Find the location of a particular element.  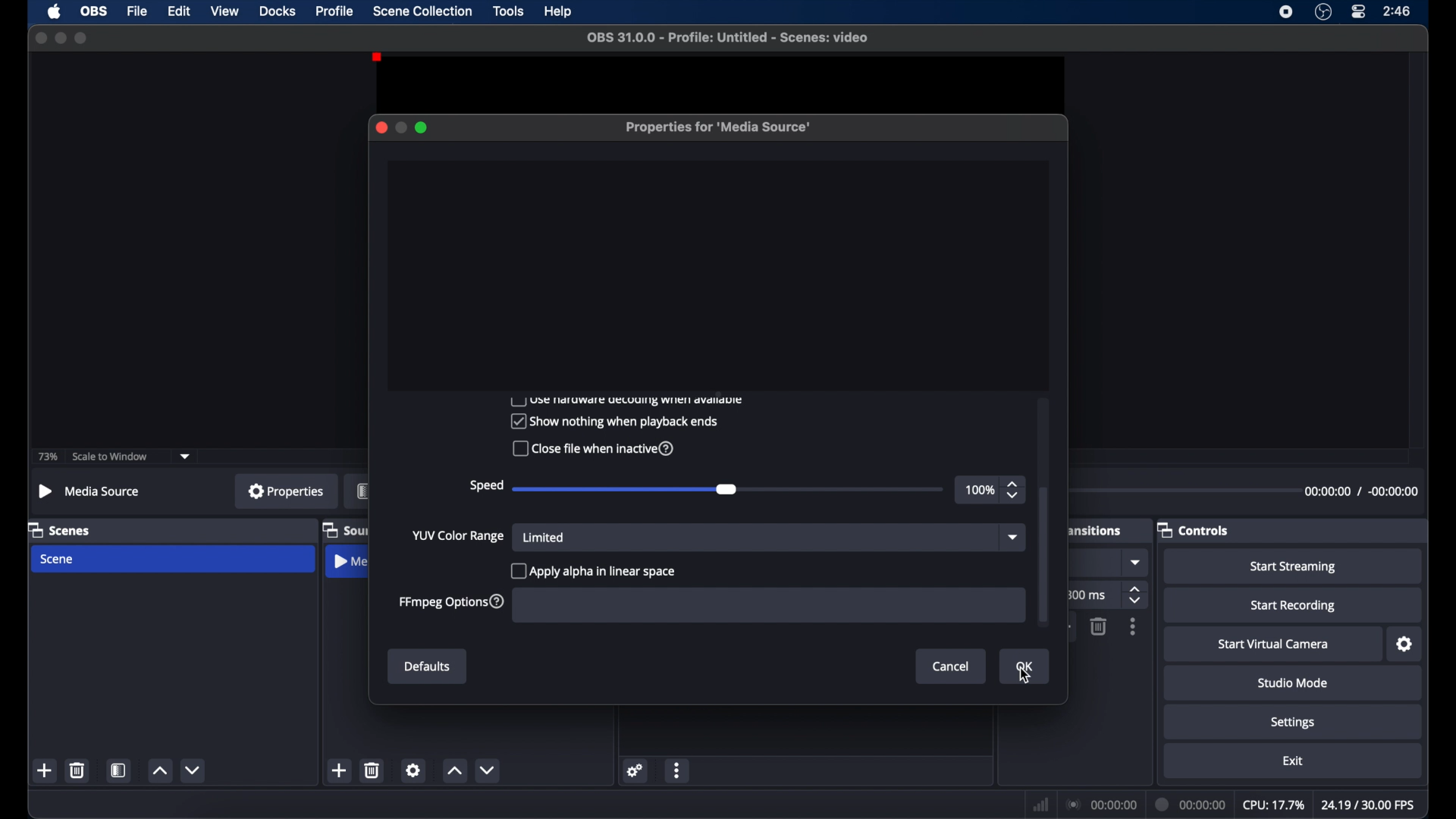

cursor is located at coordinates (1028, 676).